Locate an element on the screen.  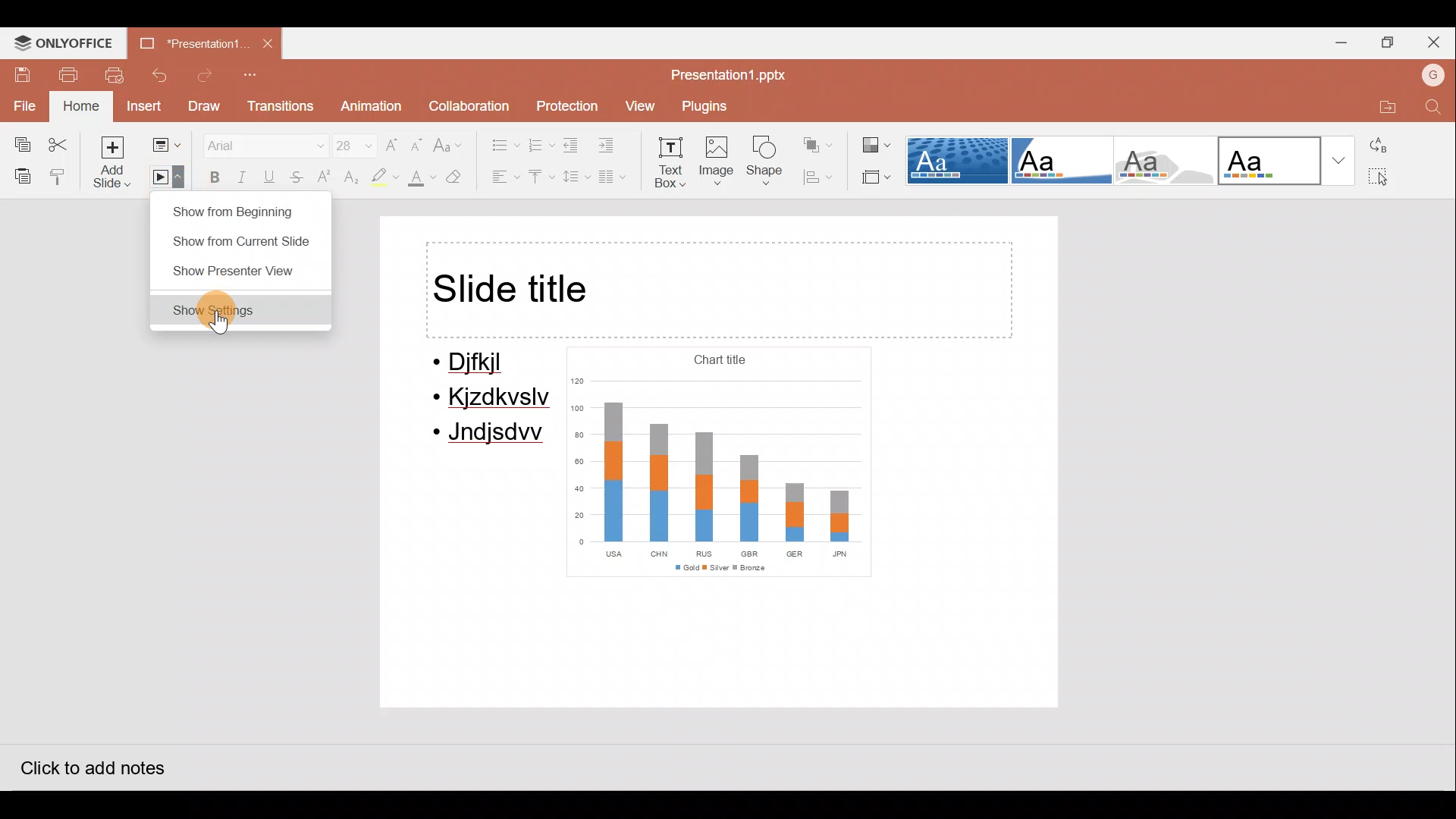
Office theme is located at coordinates (1288, 161).